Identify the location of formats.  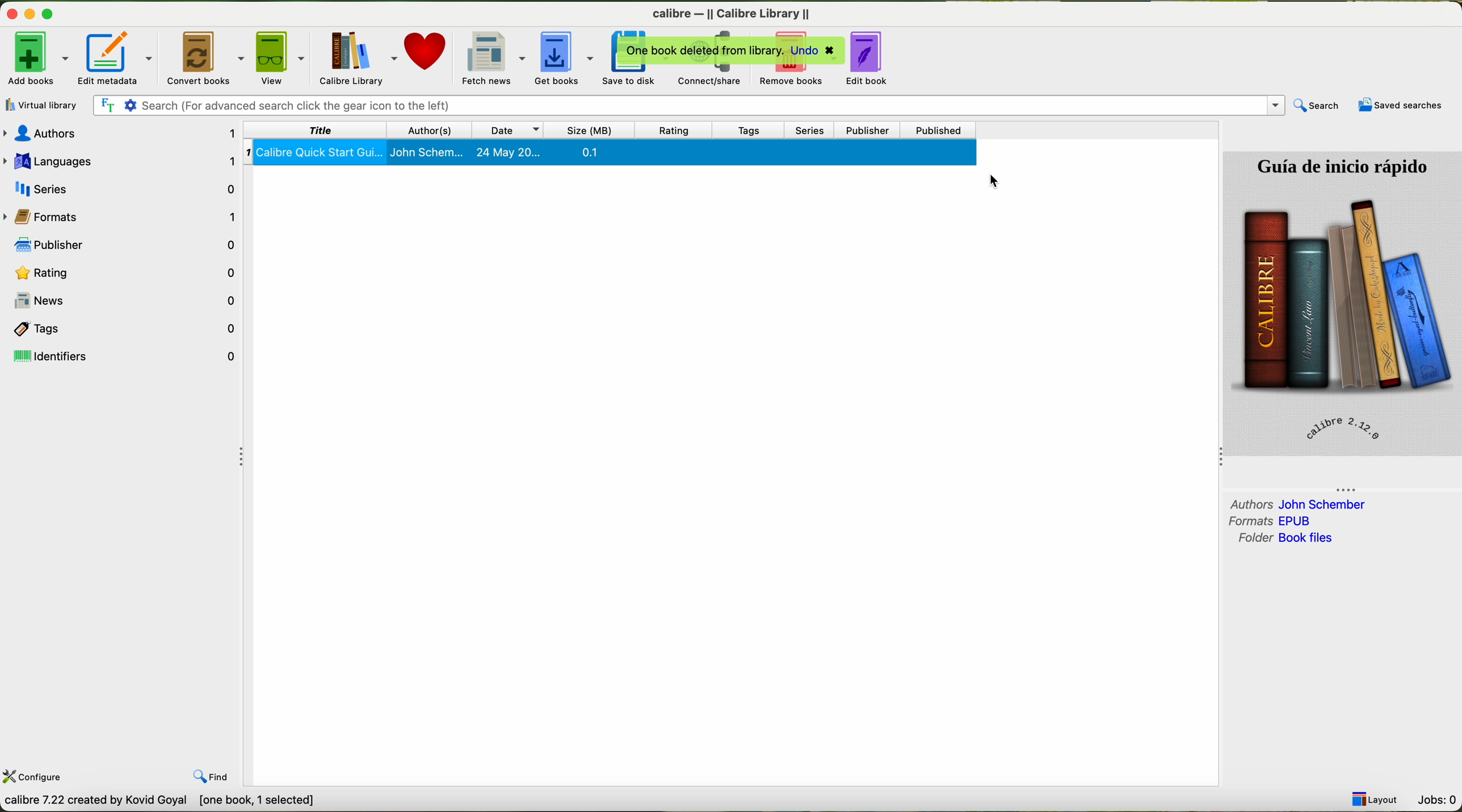
(124, 215).